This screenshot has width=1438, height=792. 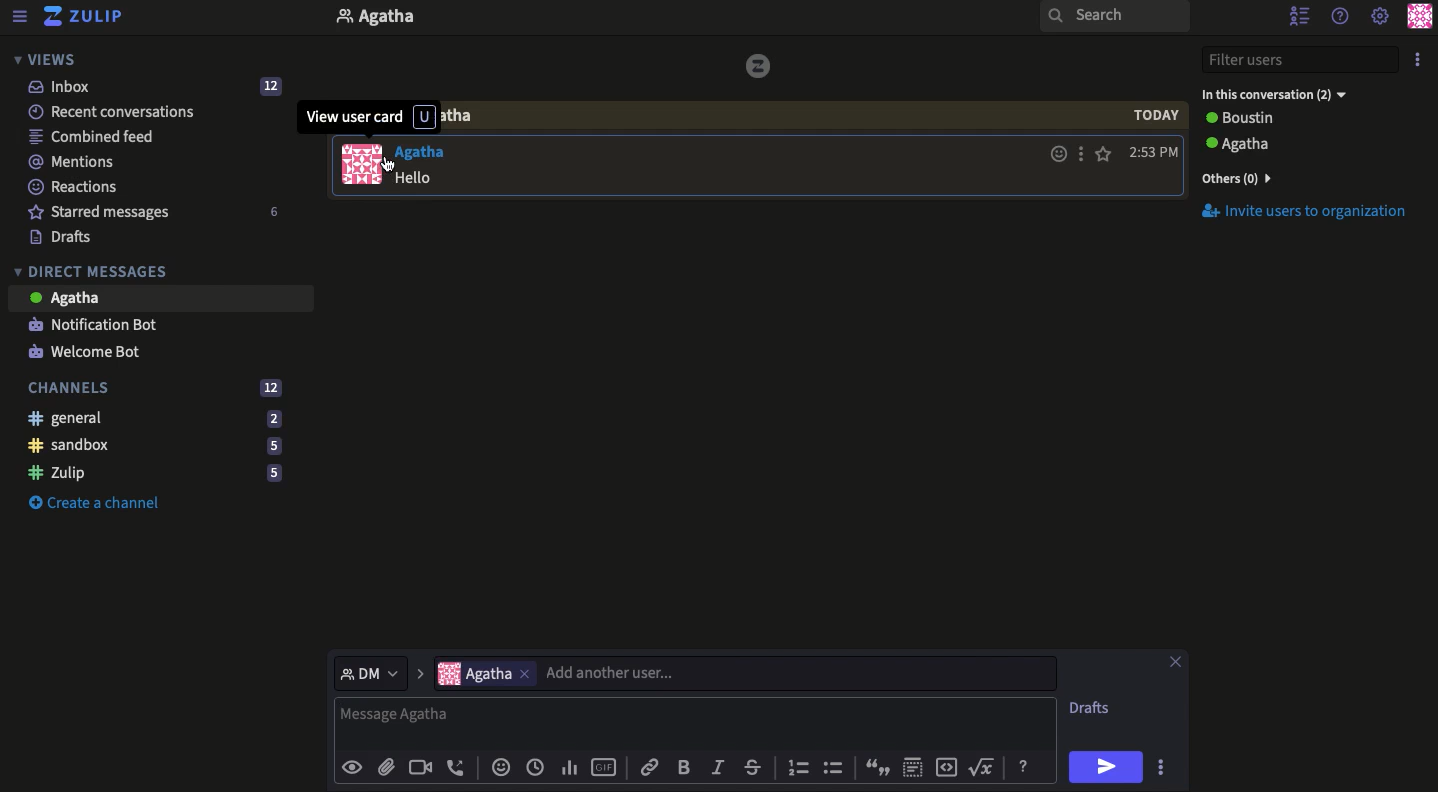 I want to click on Hide user list, so click(x=1299, y=17).